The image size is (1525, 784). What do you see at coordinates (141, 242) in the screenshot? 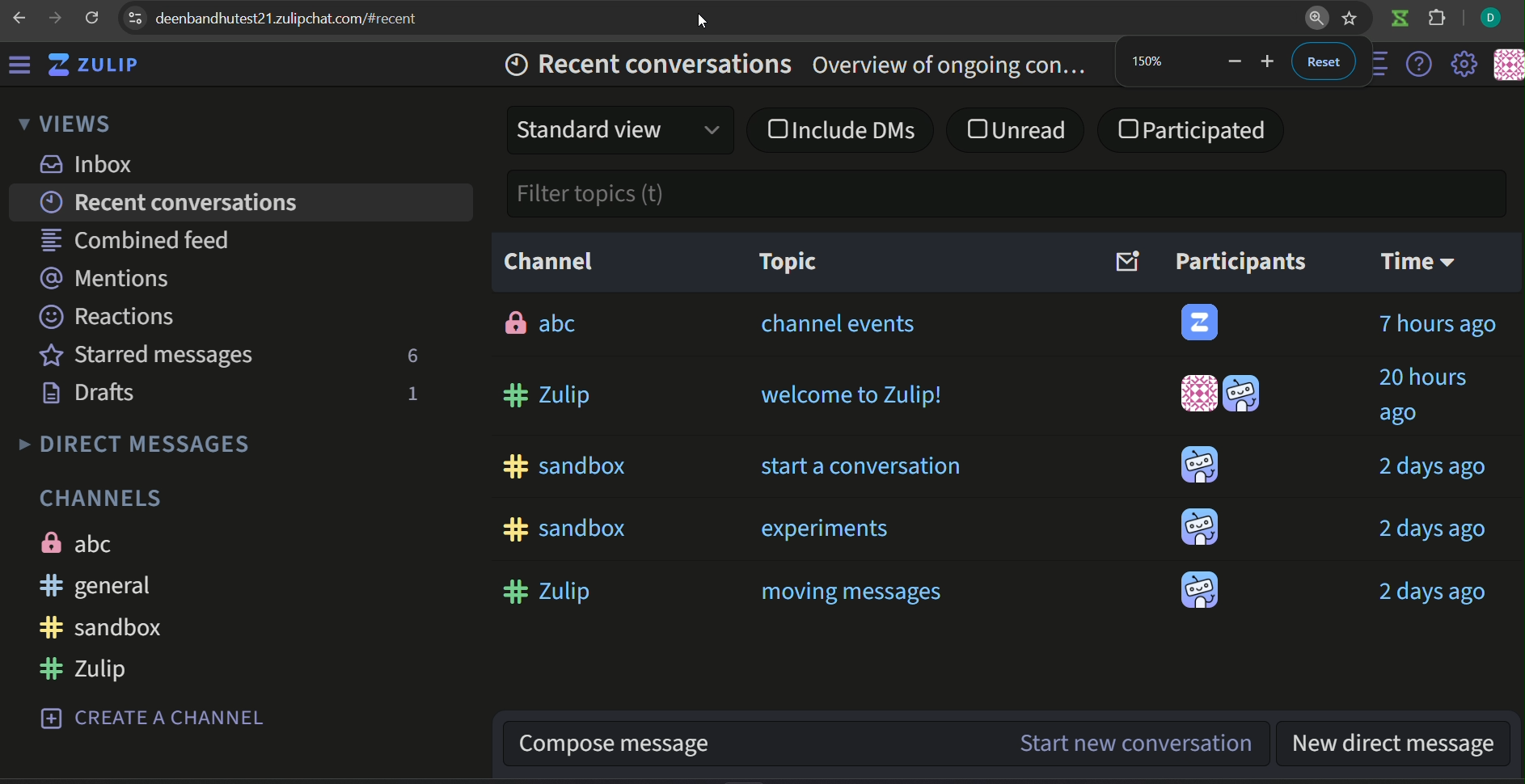
I see `combined feed` at bounding box center [141, 242].